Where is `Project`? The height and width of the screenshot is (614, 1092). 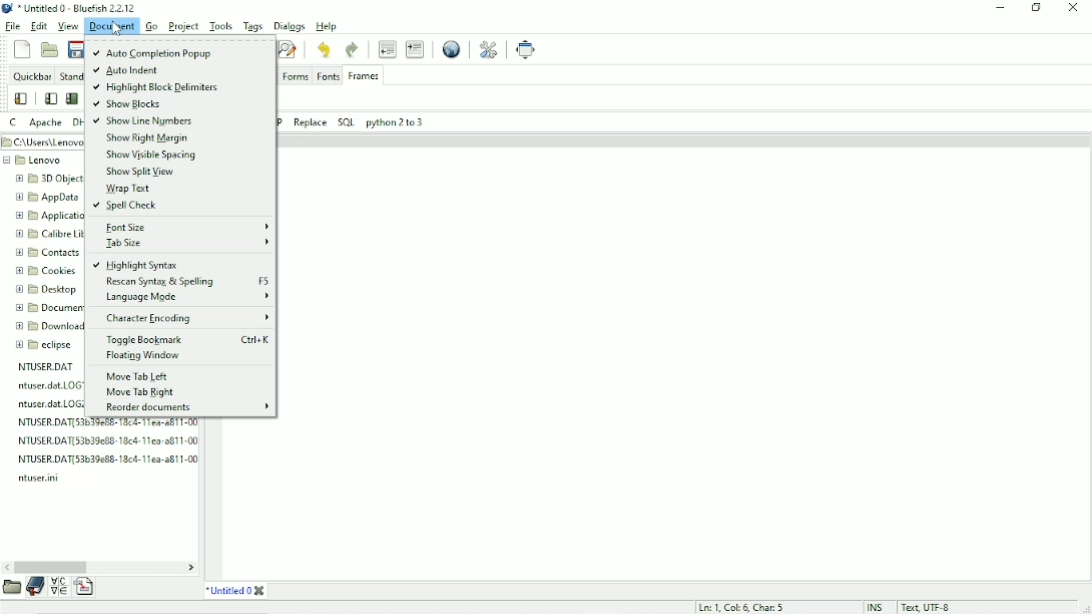 Project is located at coordinates (182, 26).